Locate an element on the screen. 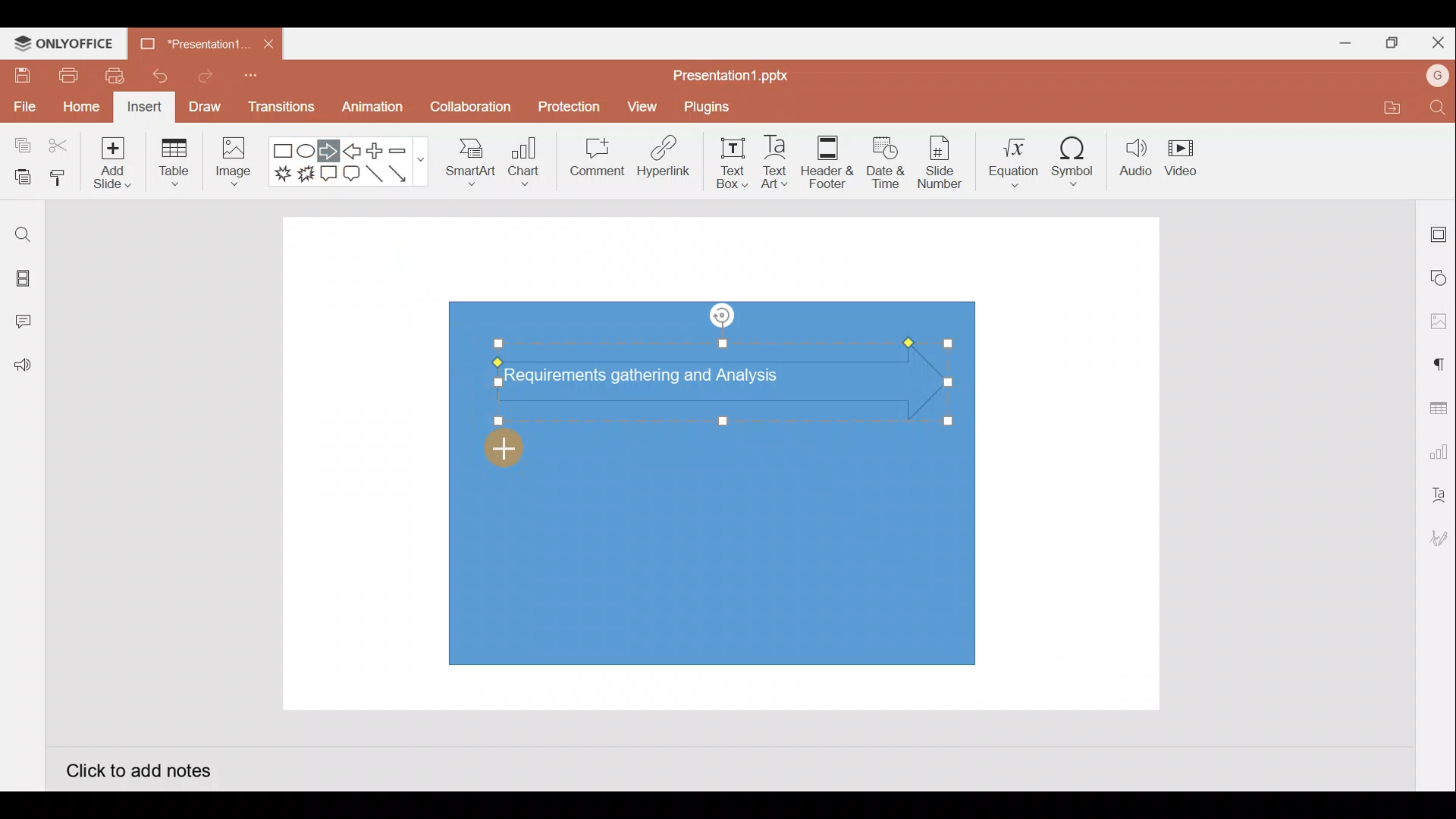  Click to add notes is located at coordinates (138, 769).